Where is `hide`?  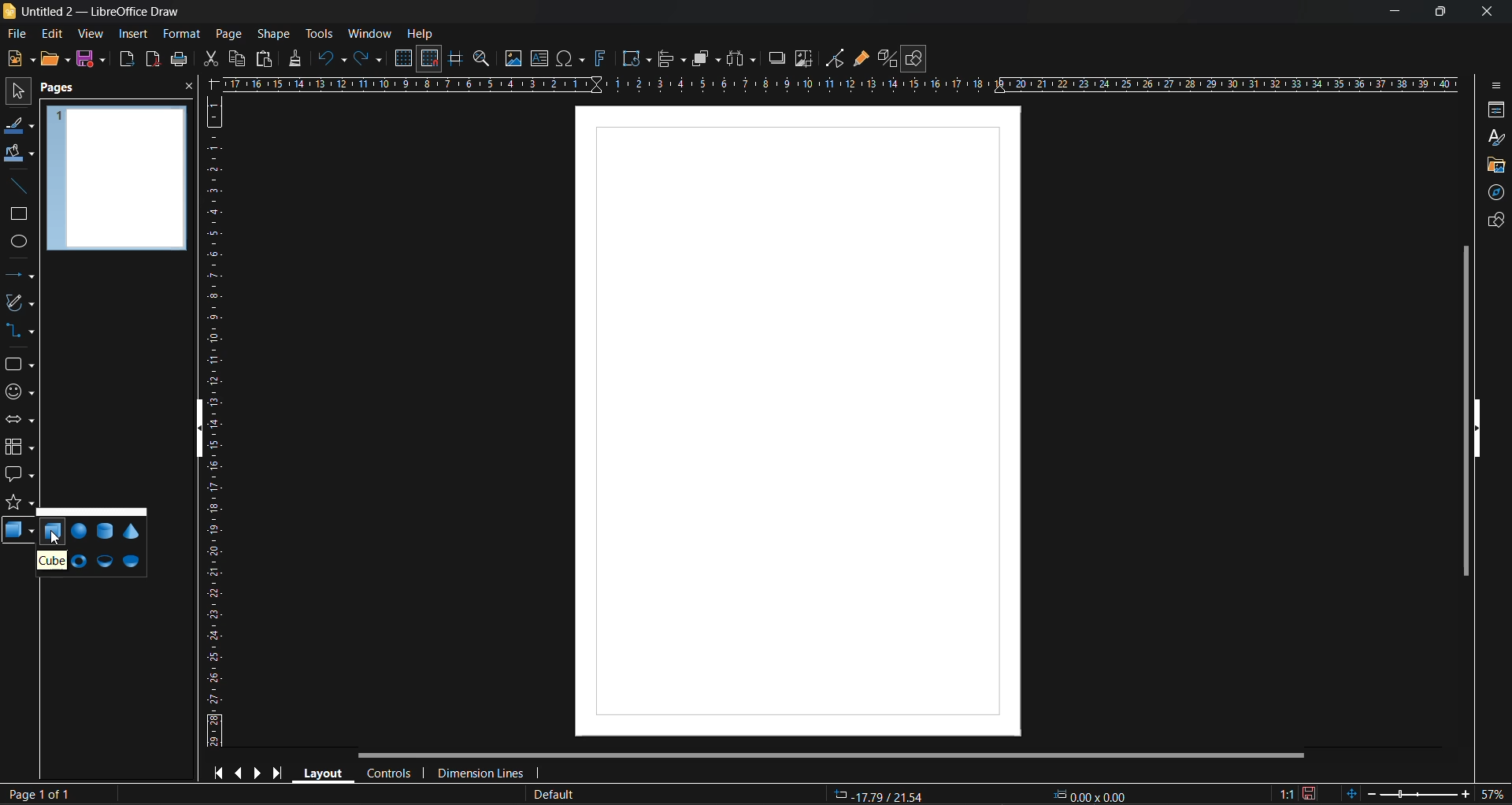
hide is located at coordinates (206, 429).